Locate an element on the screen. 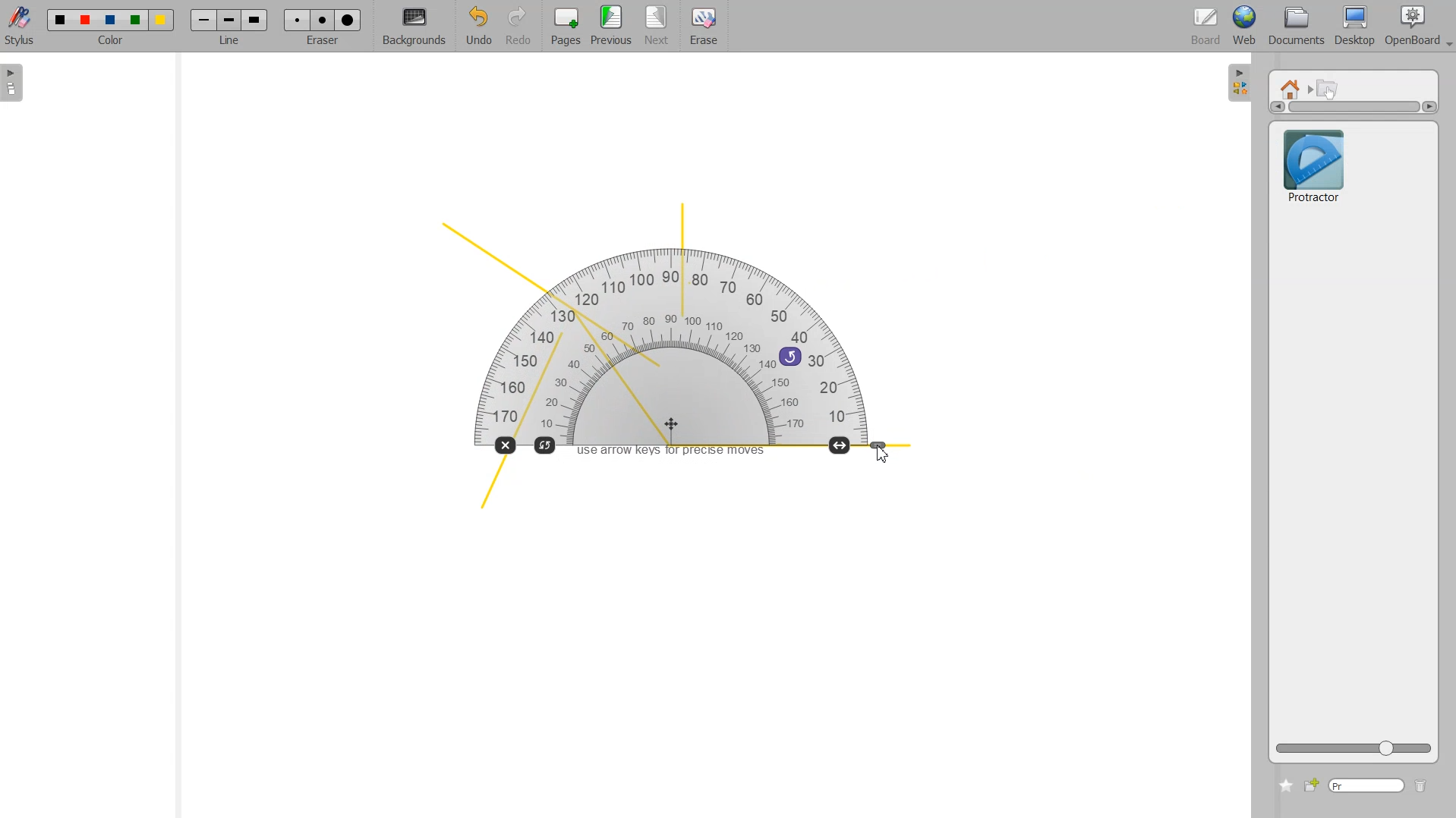 The image size is (1456, 818). Pages is located at coordinates (564, 27).